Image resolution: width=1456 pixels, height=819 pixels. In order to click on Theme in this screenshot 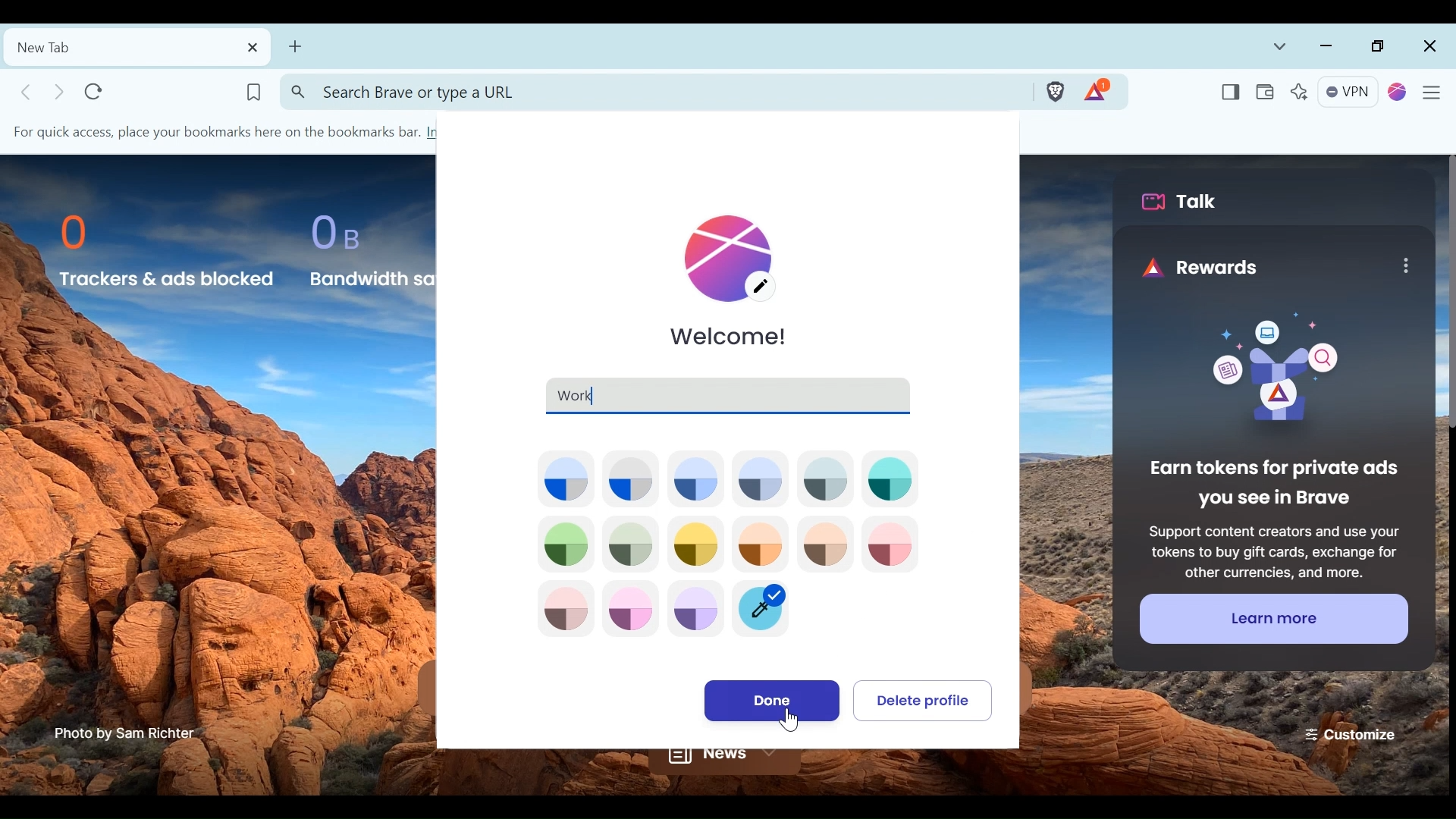, I will do `click(825, 477)`.